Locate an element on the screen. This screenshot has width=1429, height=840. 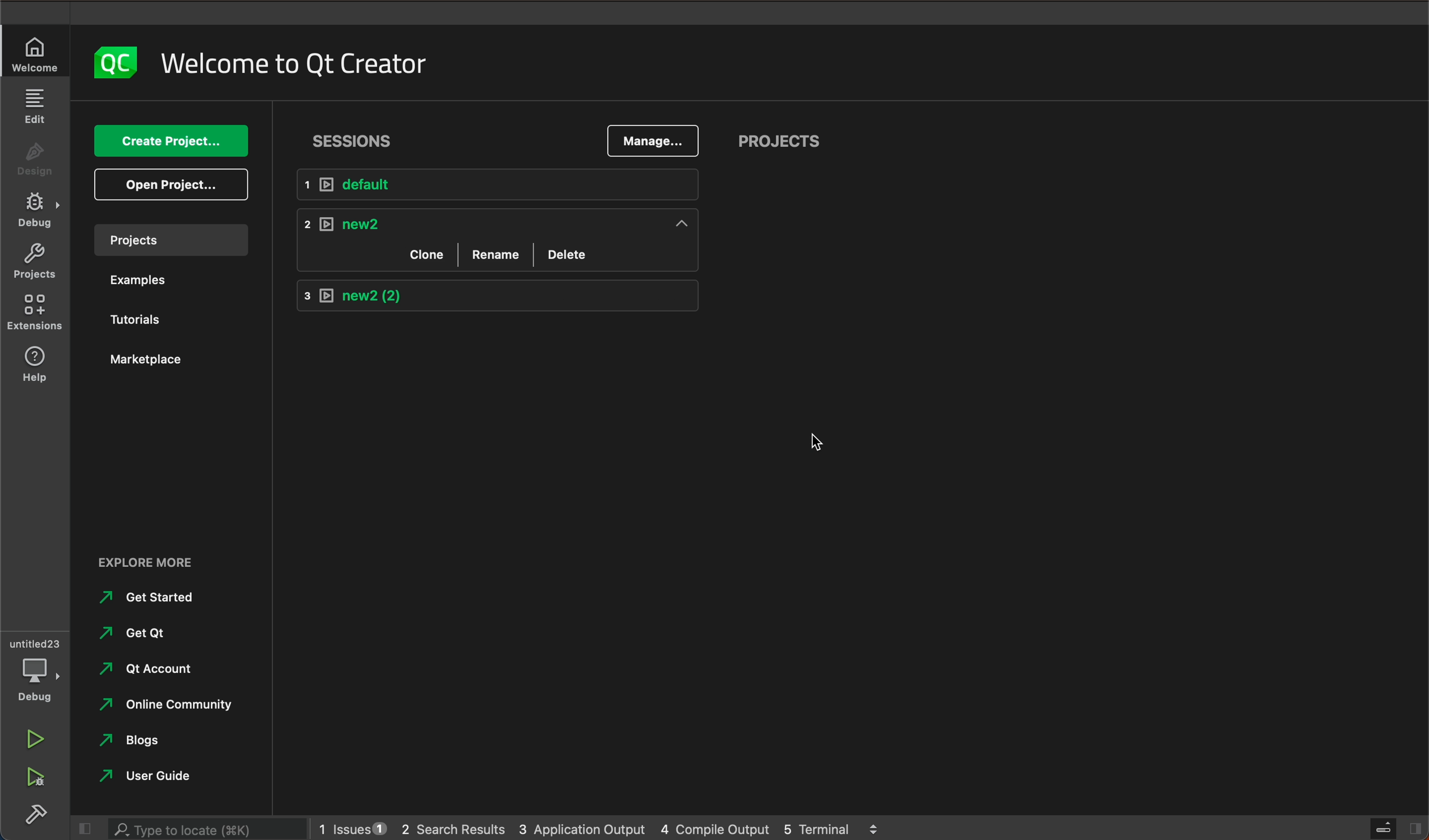
design is located at coordinates (37, 160).